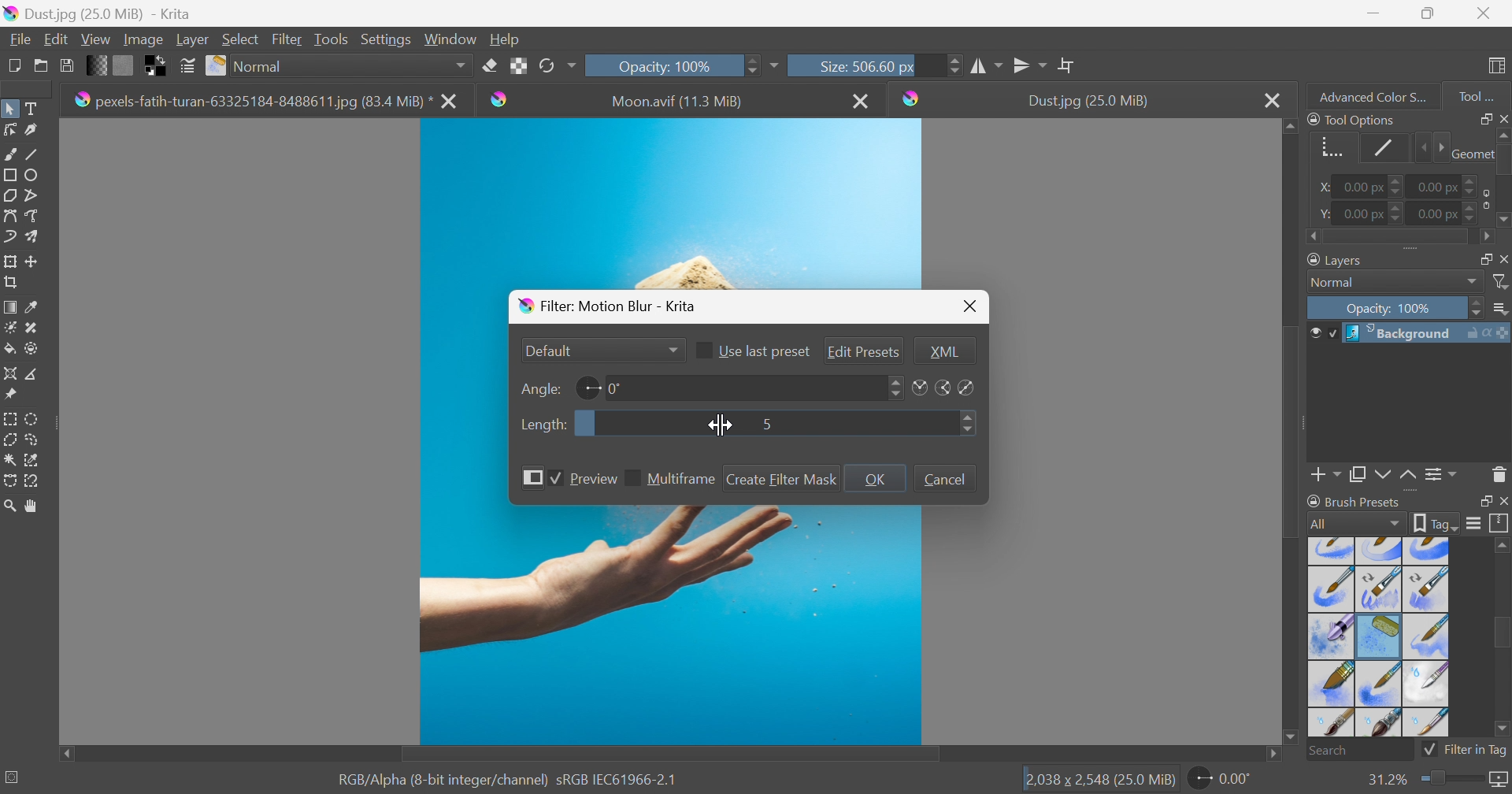 This screenshot has width=1512, height=794. Describe the element at coordinates (895, 387) in the screenshot. I see `Slider` at that location.